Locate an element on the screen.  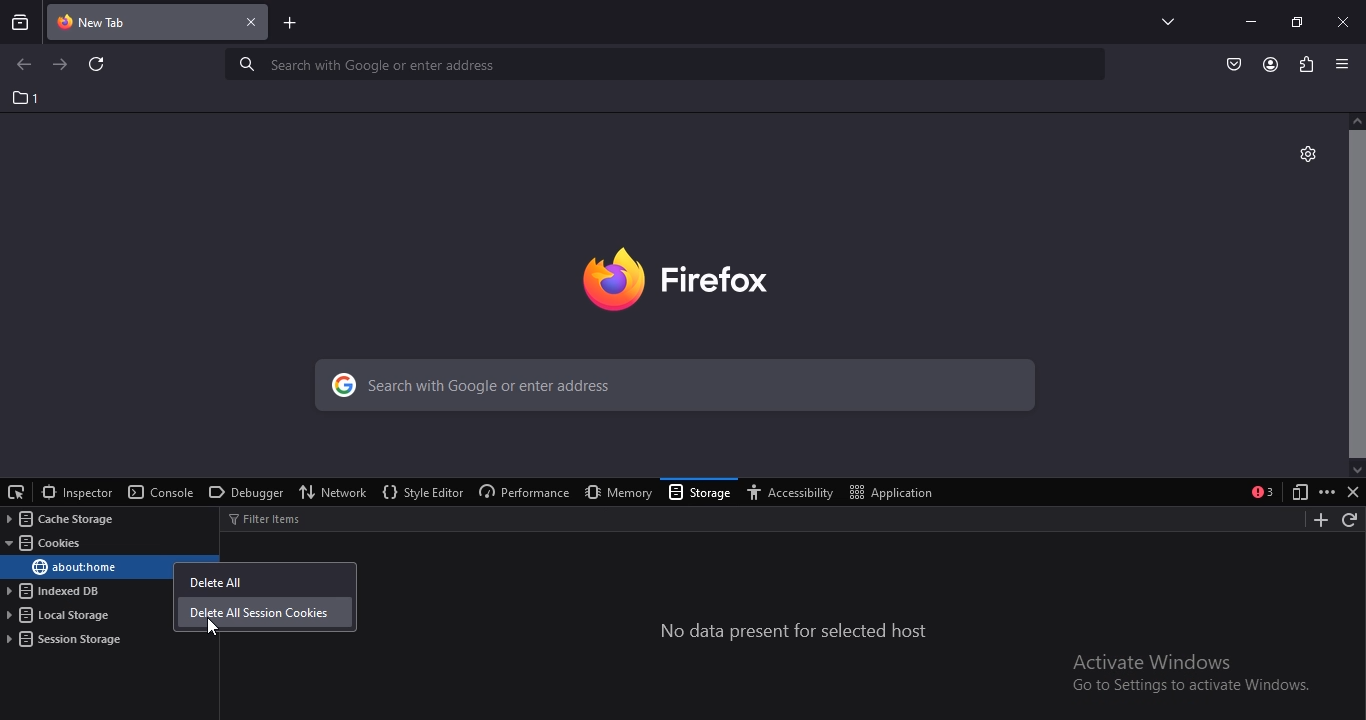
refresh items is located at coordinates (1351, 521).